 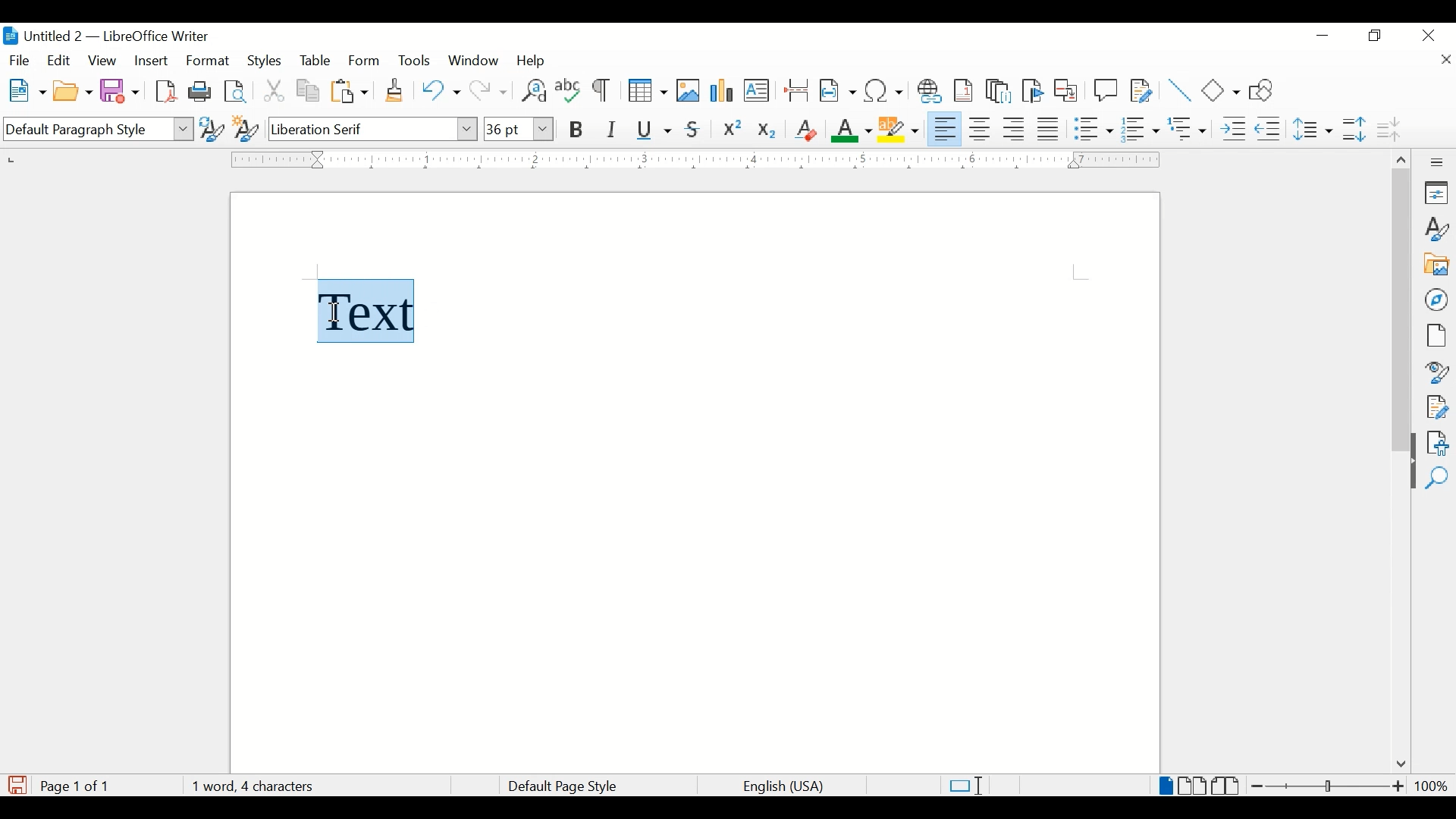 What do you see at coordinates (1166, 786) in the screenshot?
I see `single page view` at bounding box center [1166, 786].